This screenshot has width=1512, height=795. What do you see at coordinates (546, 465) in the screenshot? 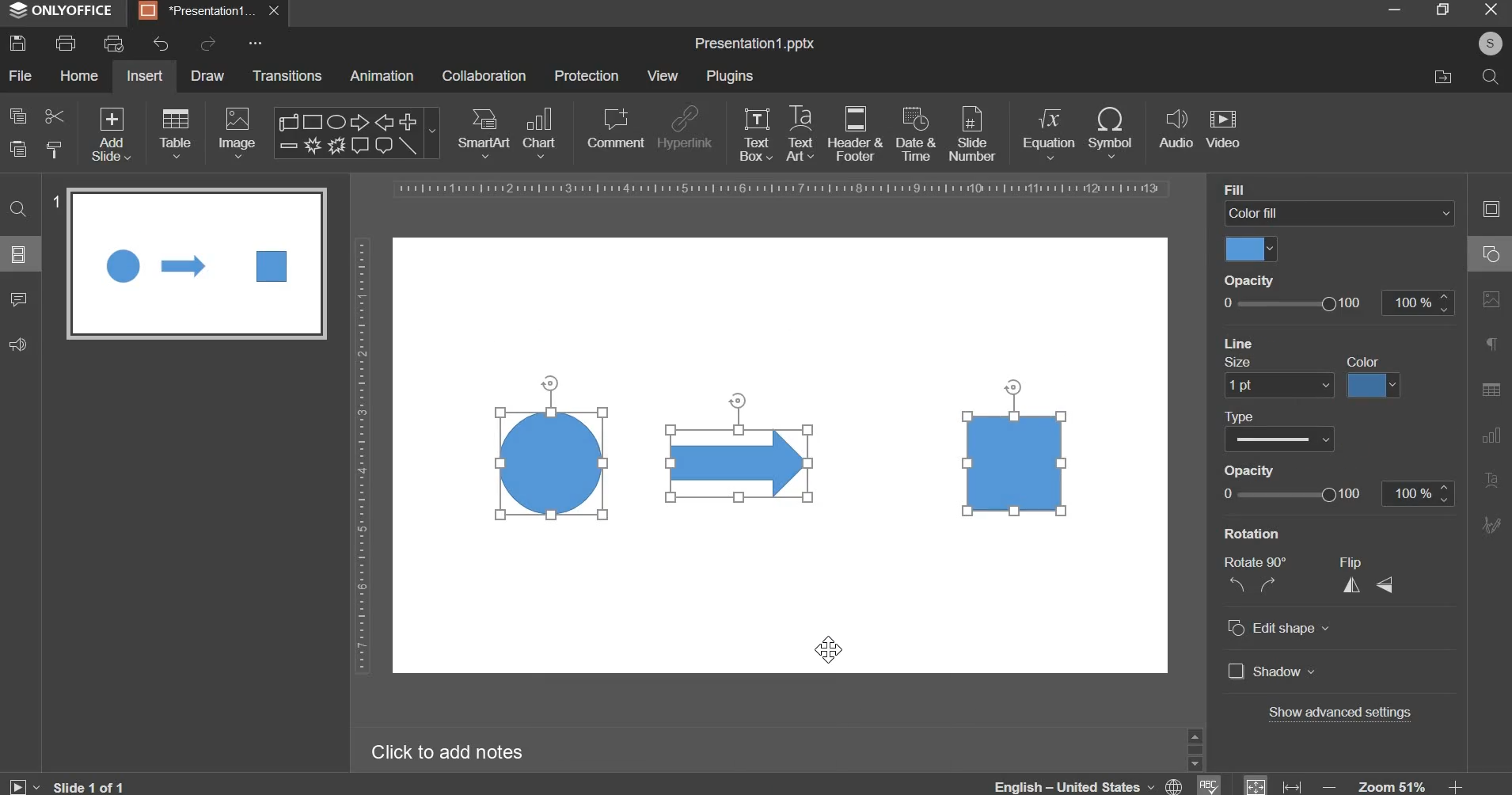
I see `object 1` at bounding box center [546, 465].